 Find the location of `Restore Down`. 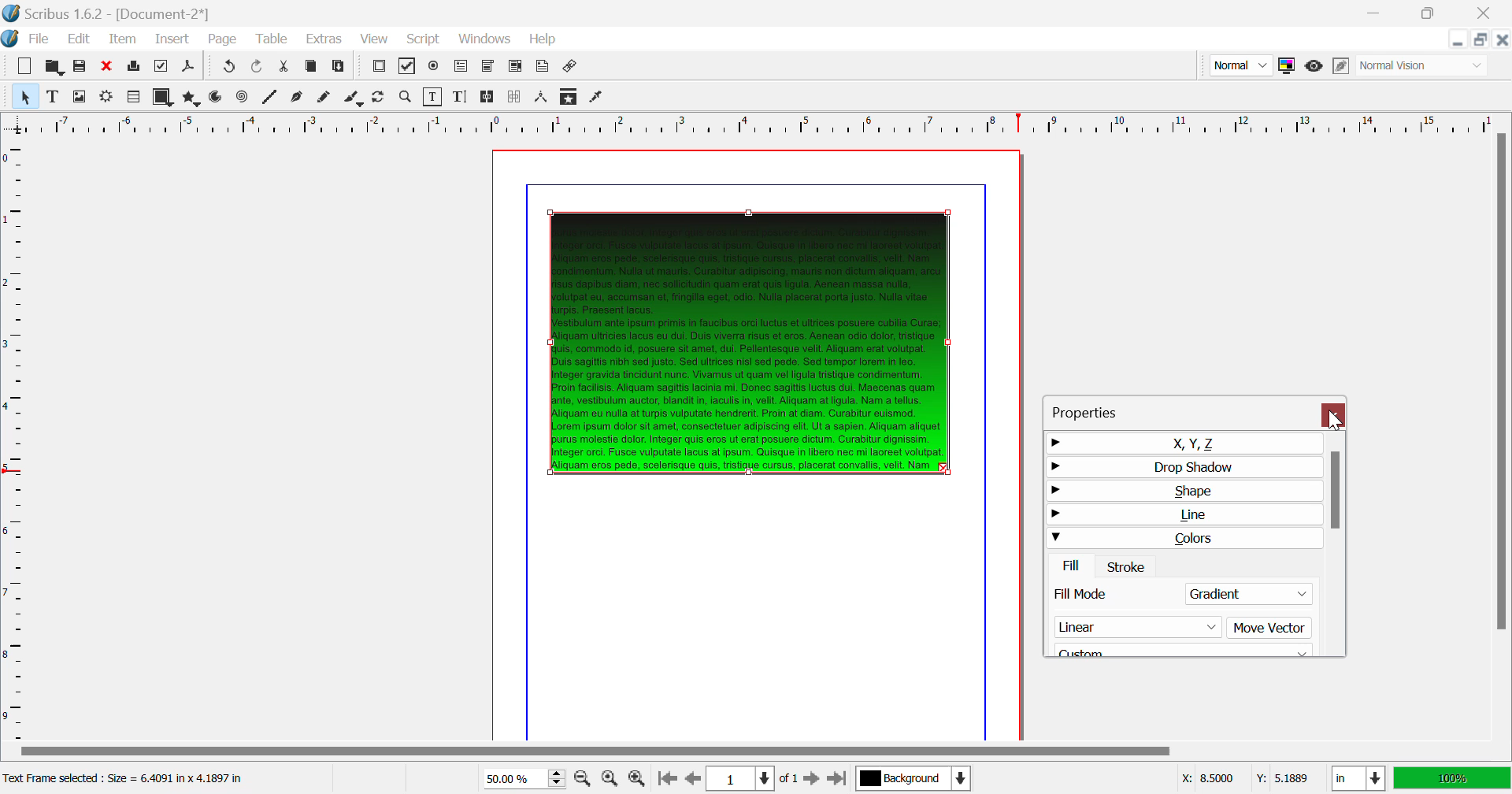

Restore Down is located at coordinates (1459, 39).